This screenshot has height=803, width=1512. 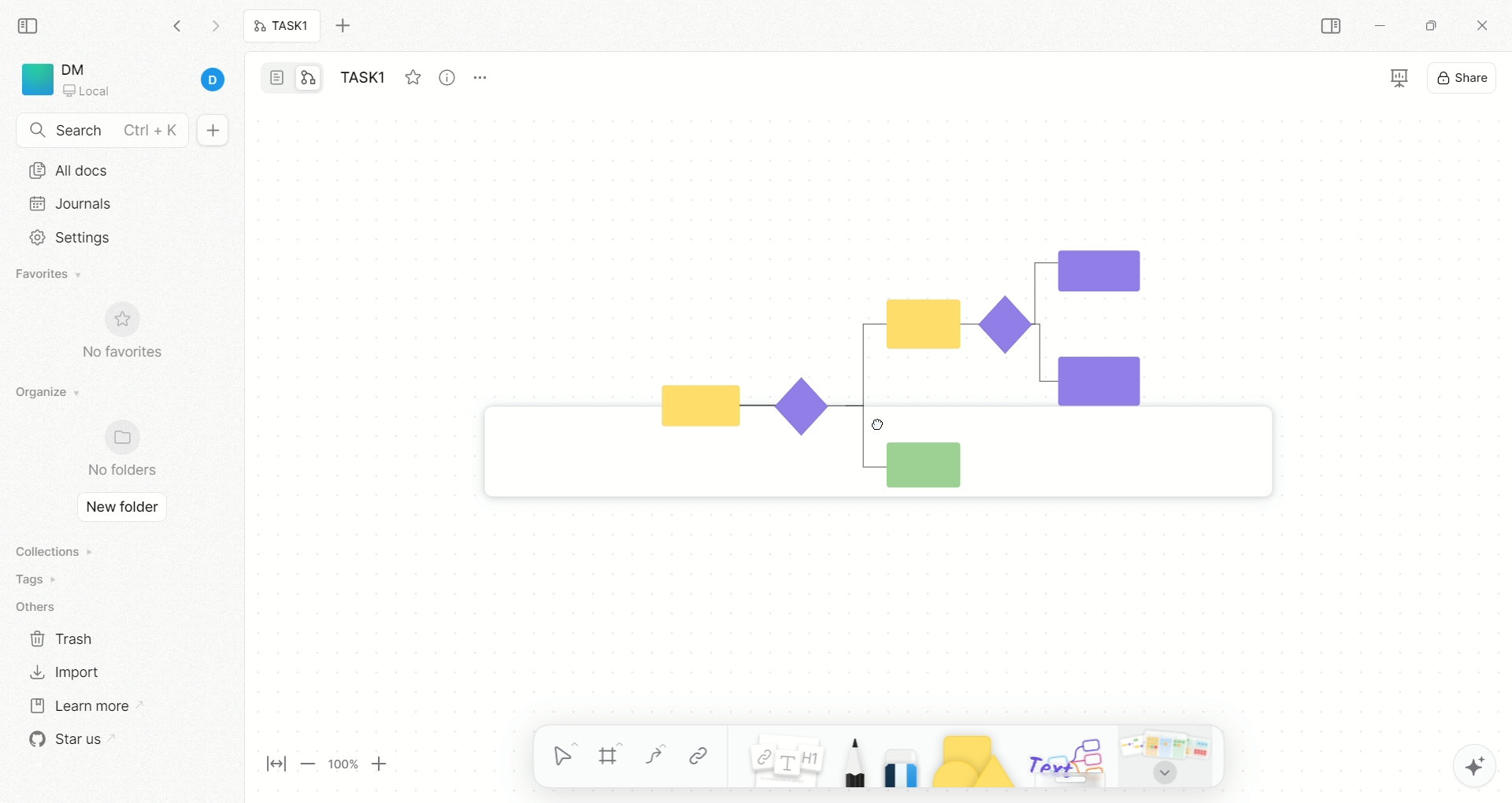 I want to click on page magnification, so click(x=332, y=766).